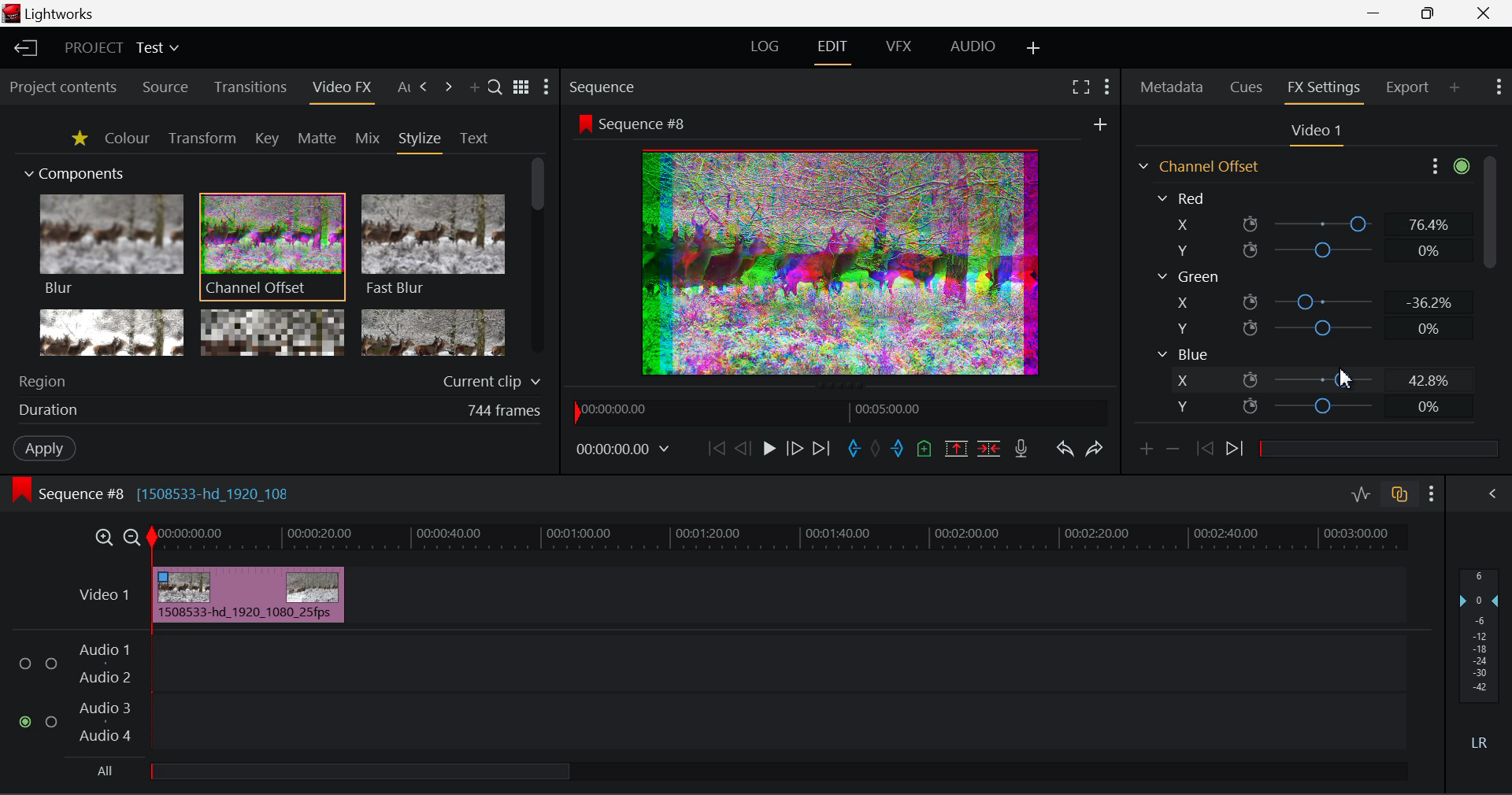  Describe the element at coordinates (1431, 494) in the screenshot. I see `Show Settings` at that location.